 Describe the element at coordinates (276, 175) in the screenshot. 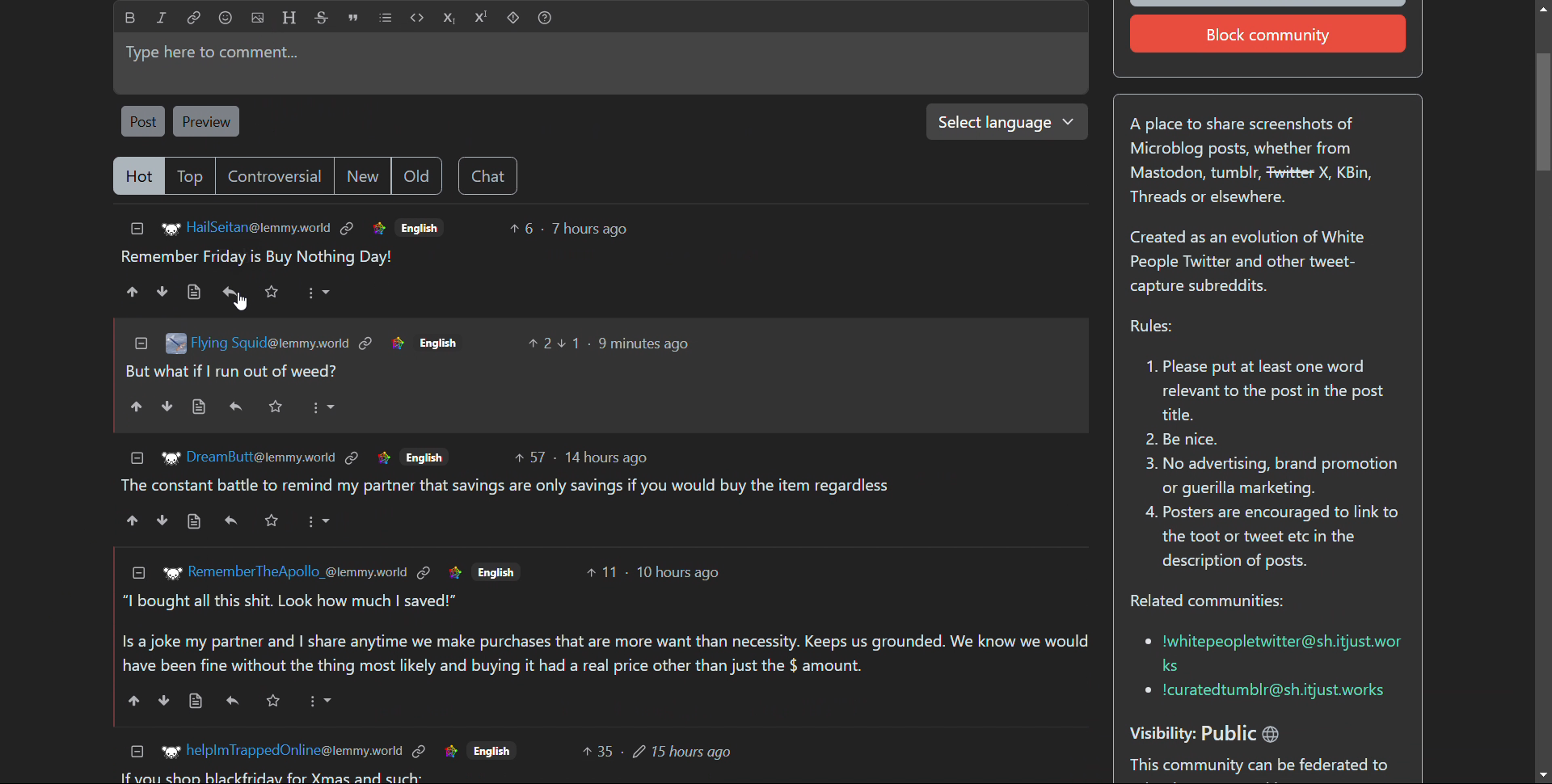

I see `controversial` at that location.